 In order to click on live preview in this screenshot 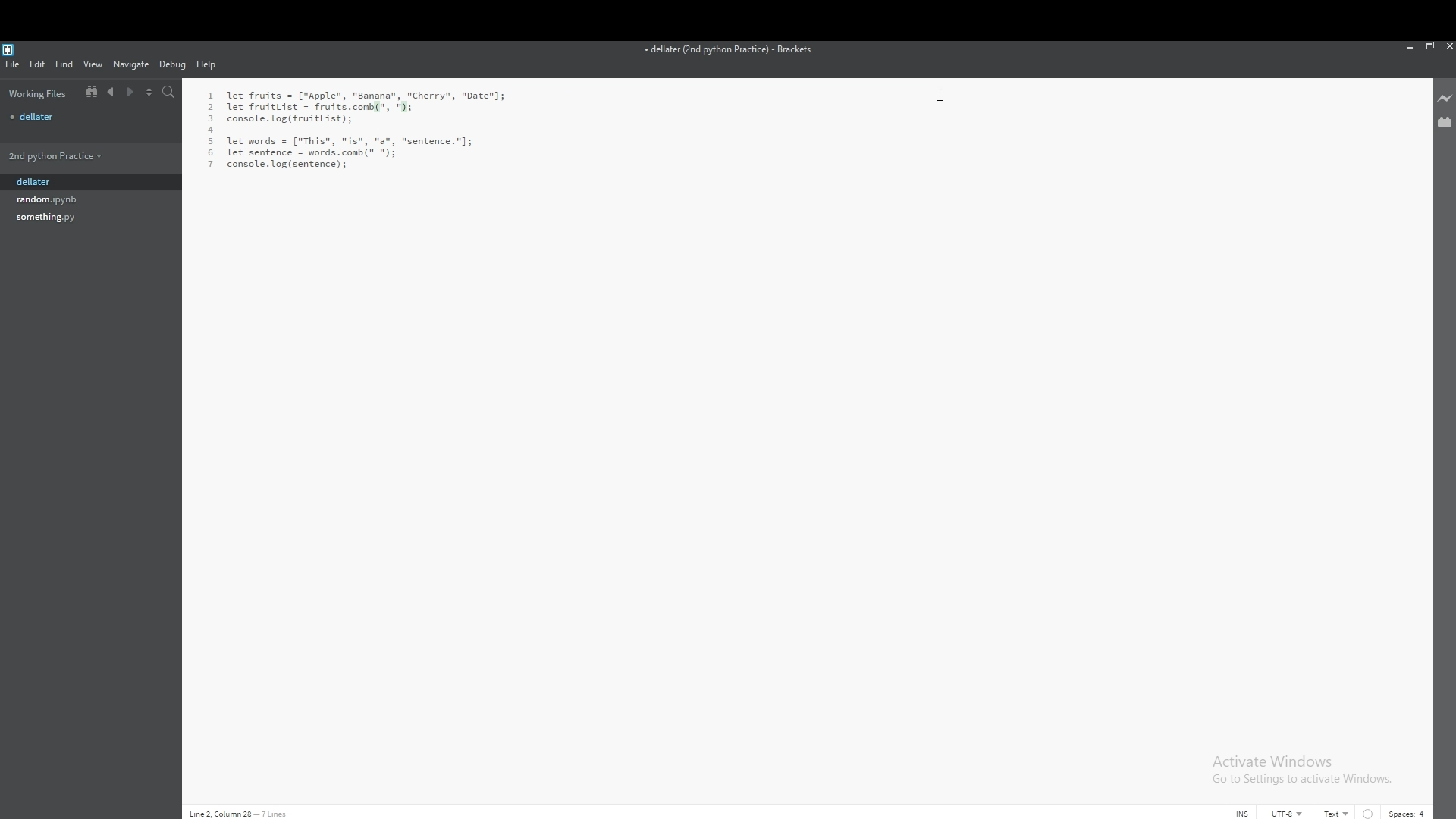, I will do `click(1444, 99)`.